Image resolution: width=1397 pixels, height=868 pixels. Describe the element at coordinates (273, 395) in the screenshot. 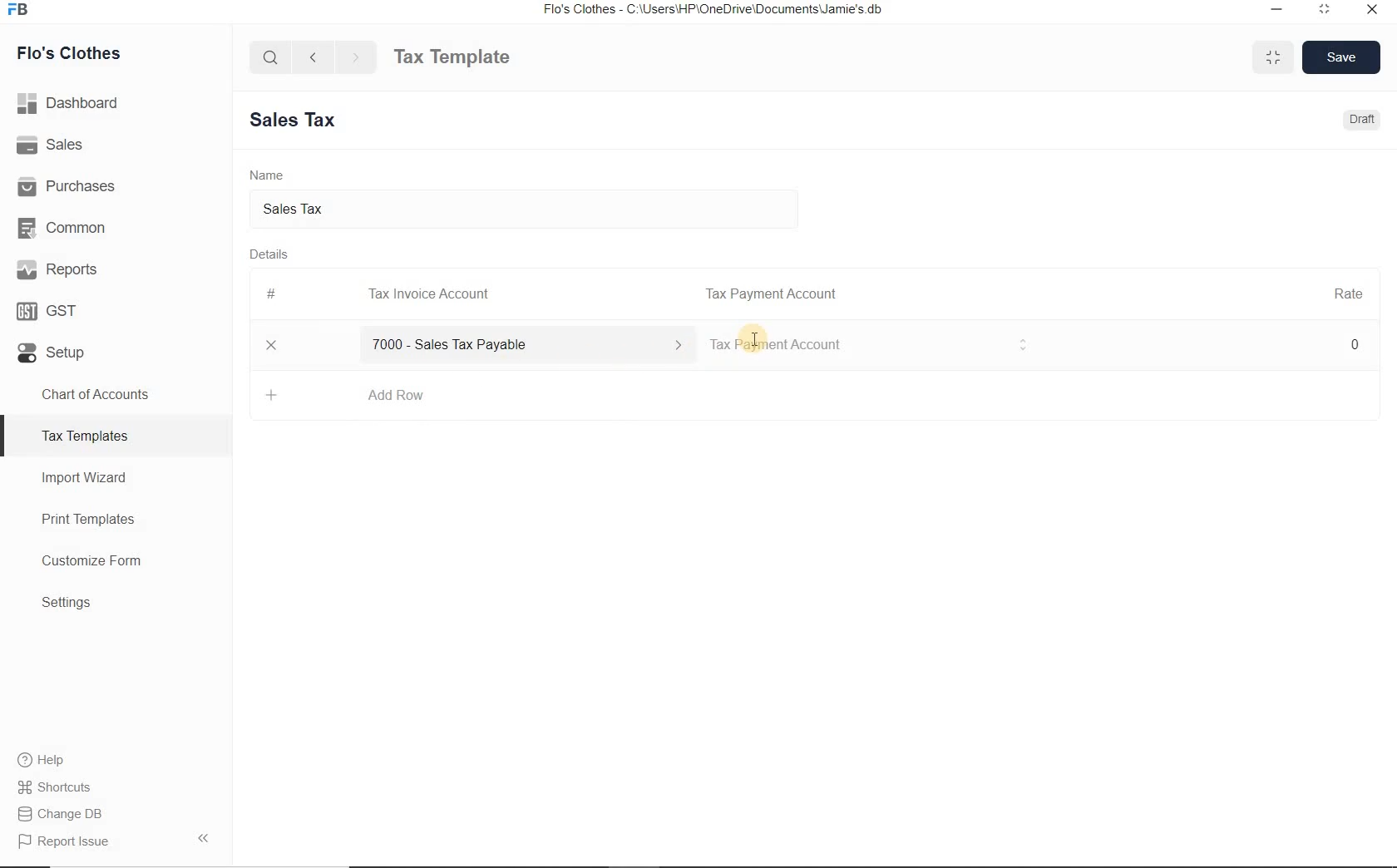

I see `Add` at that location.